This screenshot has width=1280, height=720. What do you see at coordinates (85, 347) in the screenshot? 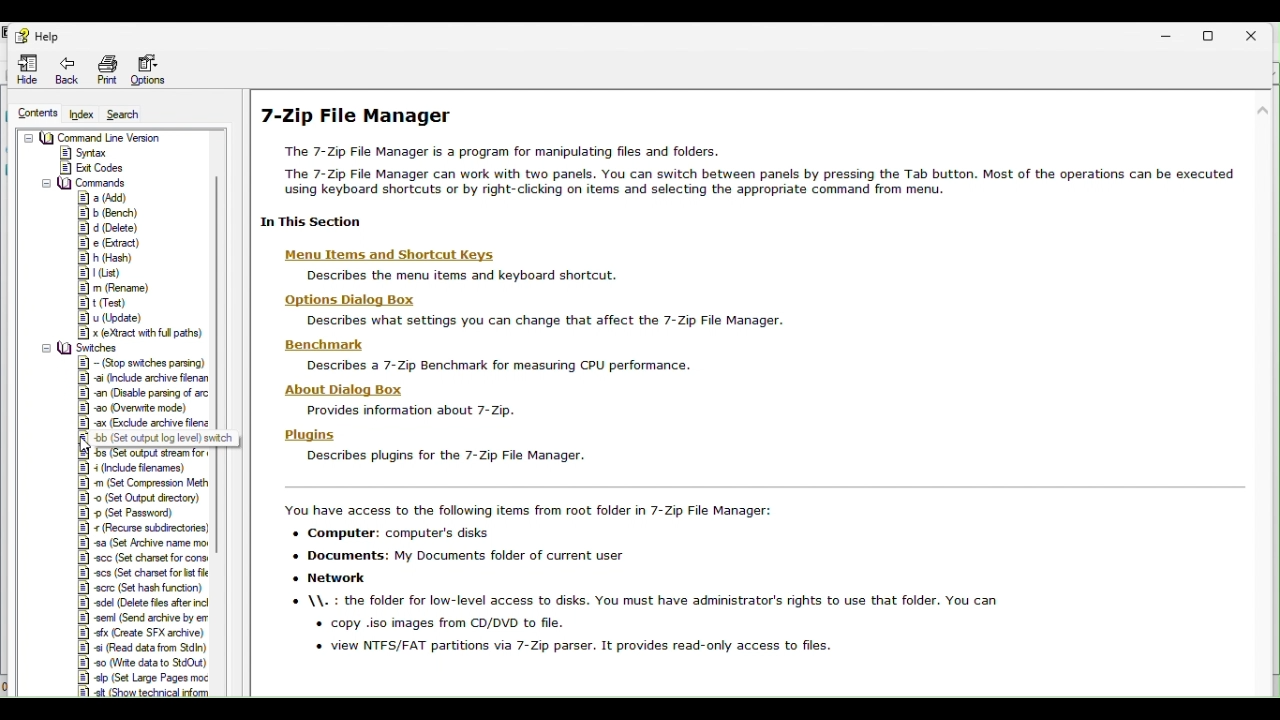
I see `= ([Q Switches` at bounding box center [85, 347].